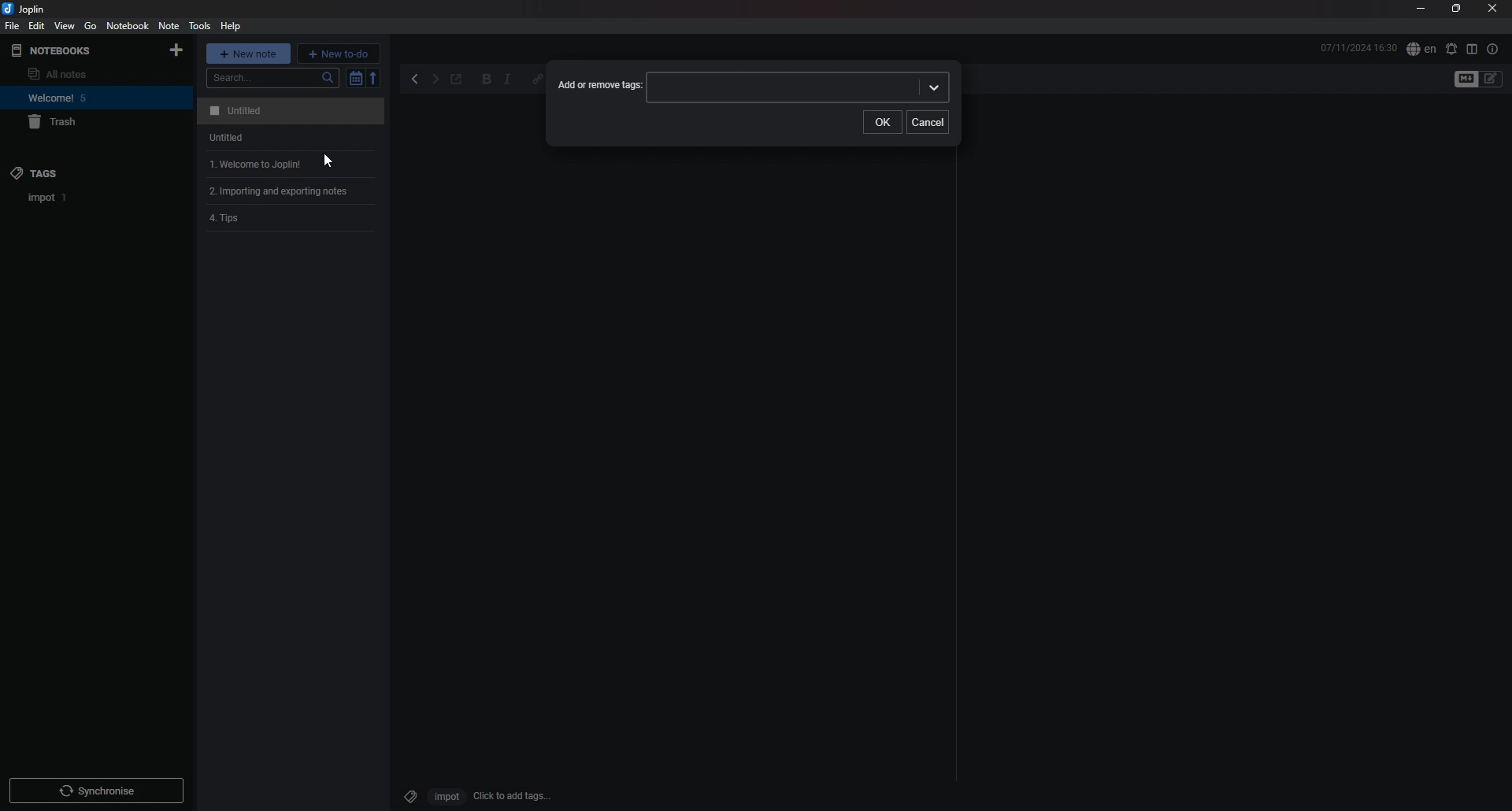 The height and width of the screenshot is (811, 1512). What do you see at coordinates (250, 164) in the screenshot?
I see `1. Welcome` at bounding box center [250, 164].